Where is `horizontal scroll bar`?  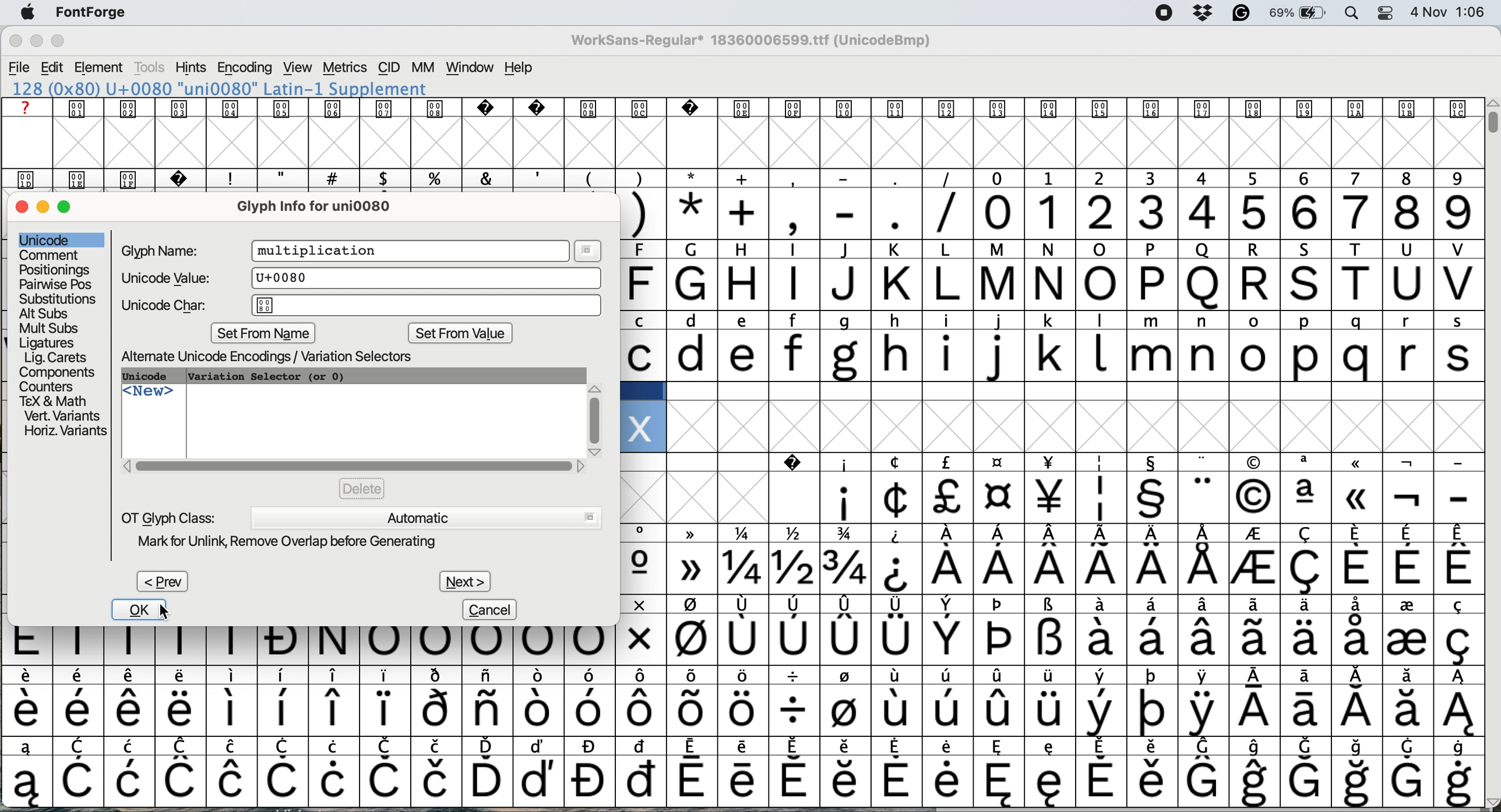 horizontal scroll bar is located at coordinates (354, 466).